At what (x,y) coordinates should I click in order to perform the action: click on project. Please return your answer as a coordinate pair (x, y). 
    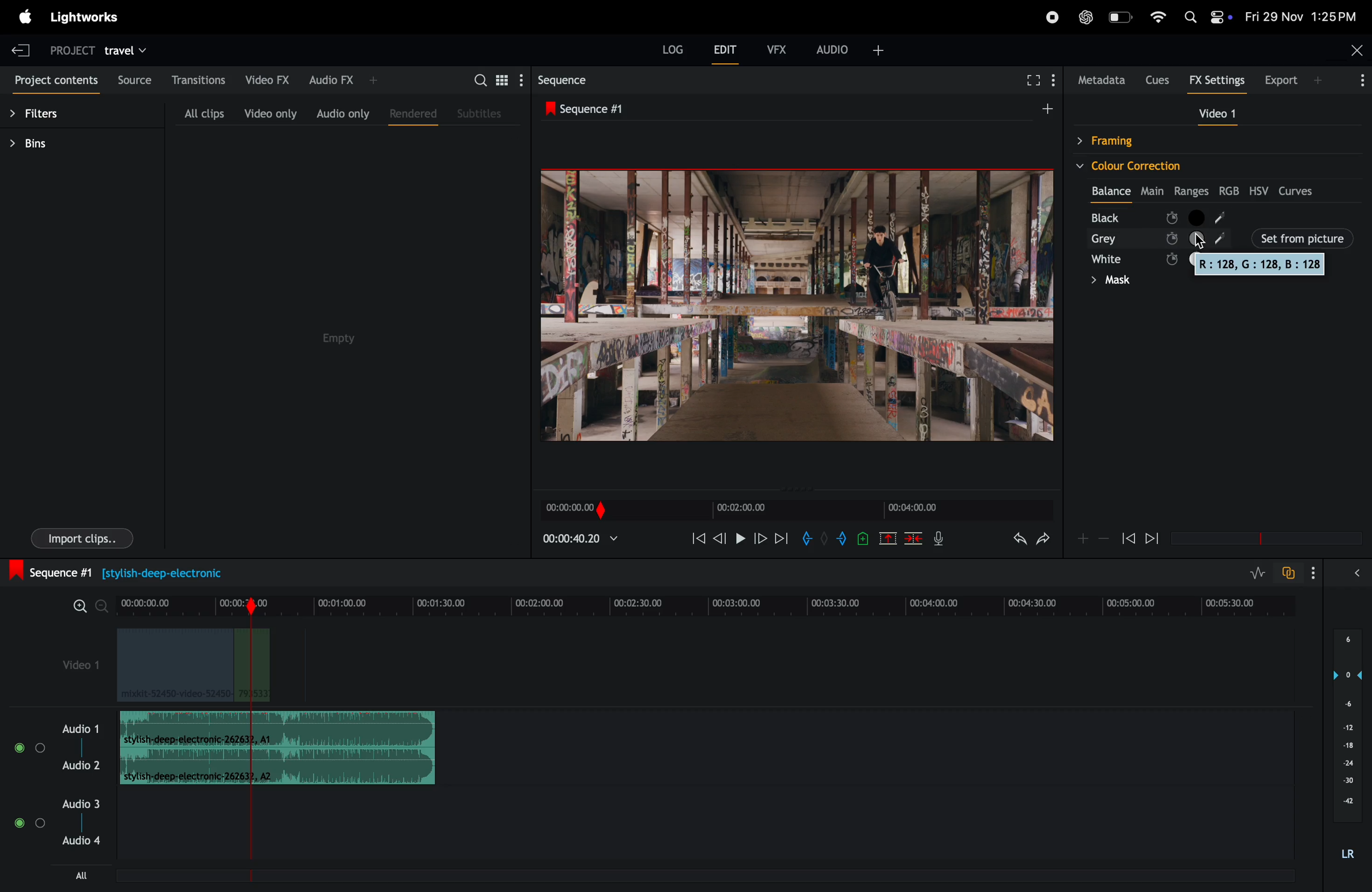
    Looking at the image, I should click on (70, 50).